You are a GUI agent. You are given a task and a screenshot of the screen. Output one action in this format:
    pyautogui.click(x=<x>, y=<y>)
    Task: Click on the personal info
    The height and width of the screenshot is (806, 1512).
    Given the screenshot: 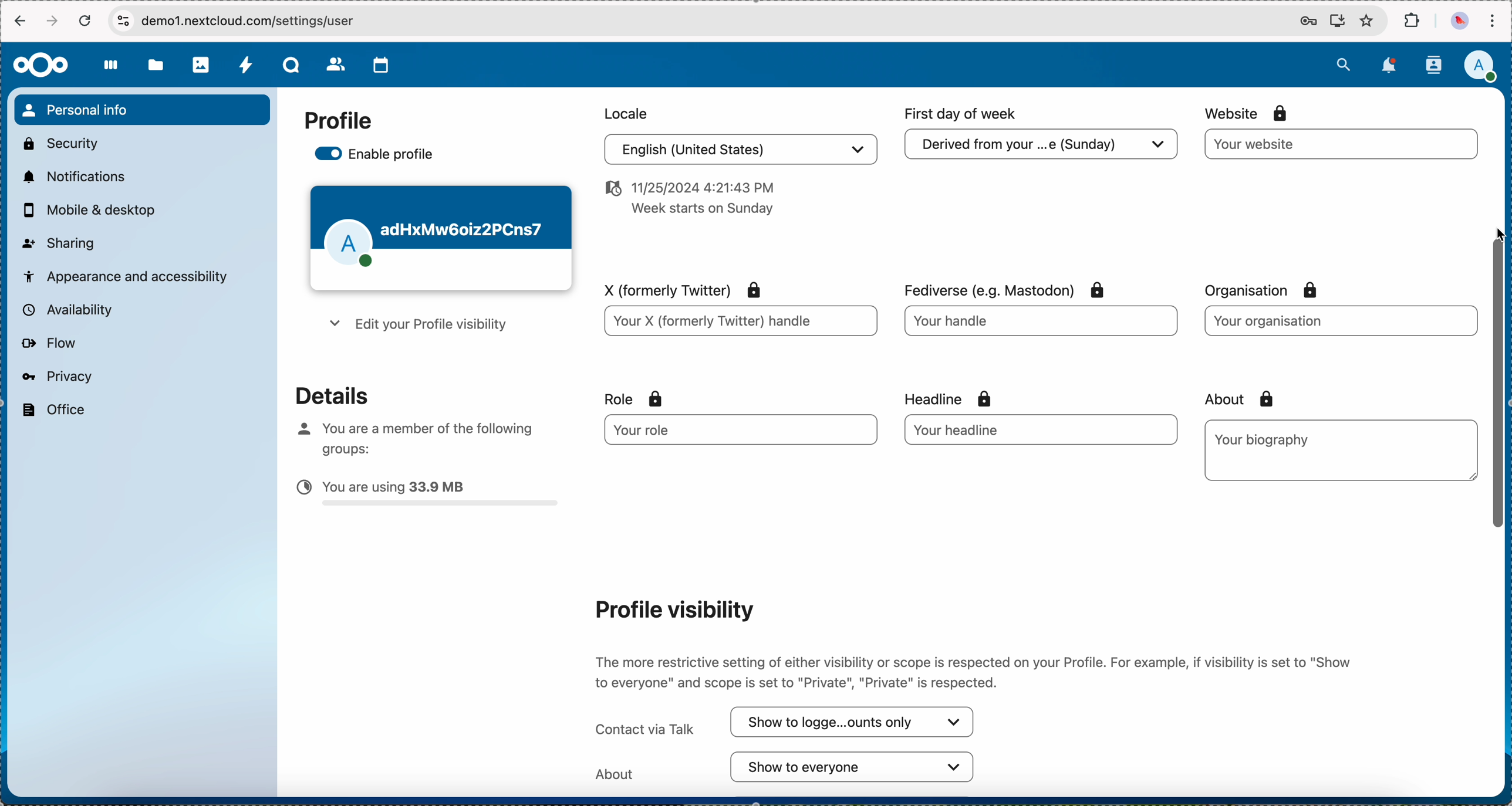 What is the action you would take?
    pyautogui.click(x=141, y=110)
    